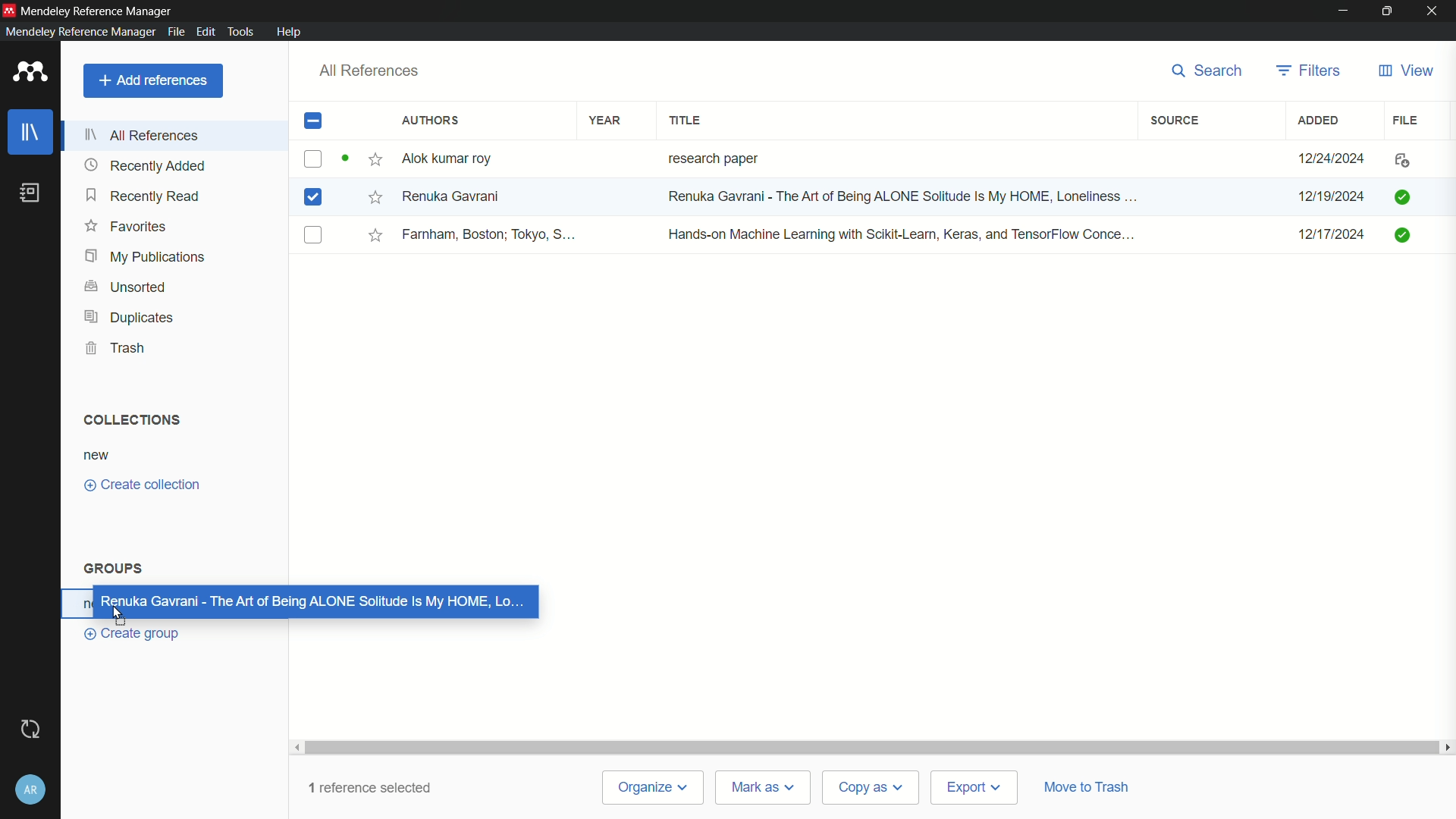  I want to click on create collection, so click(143, 485).